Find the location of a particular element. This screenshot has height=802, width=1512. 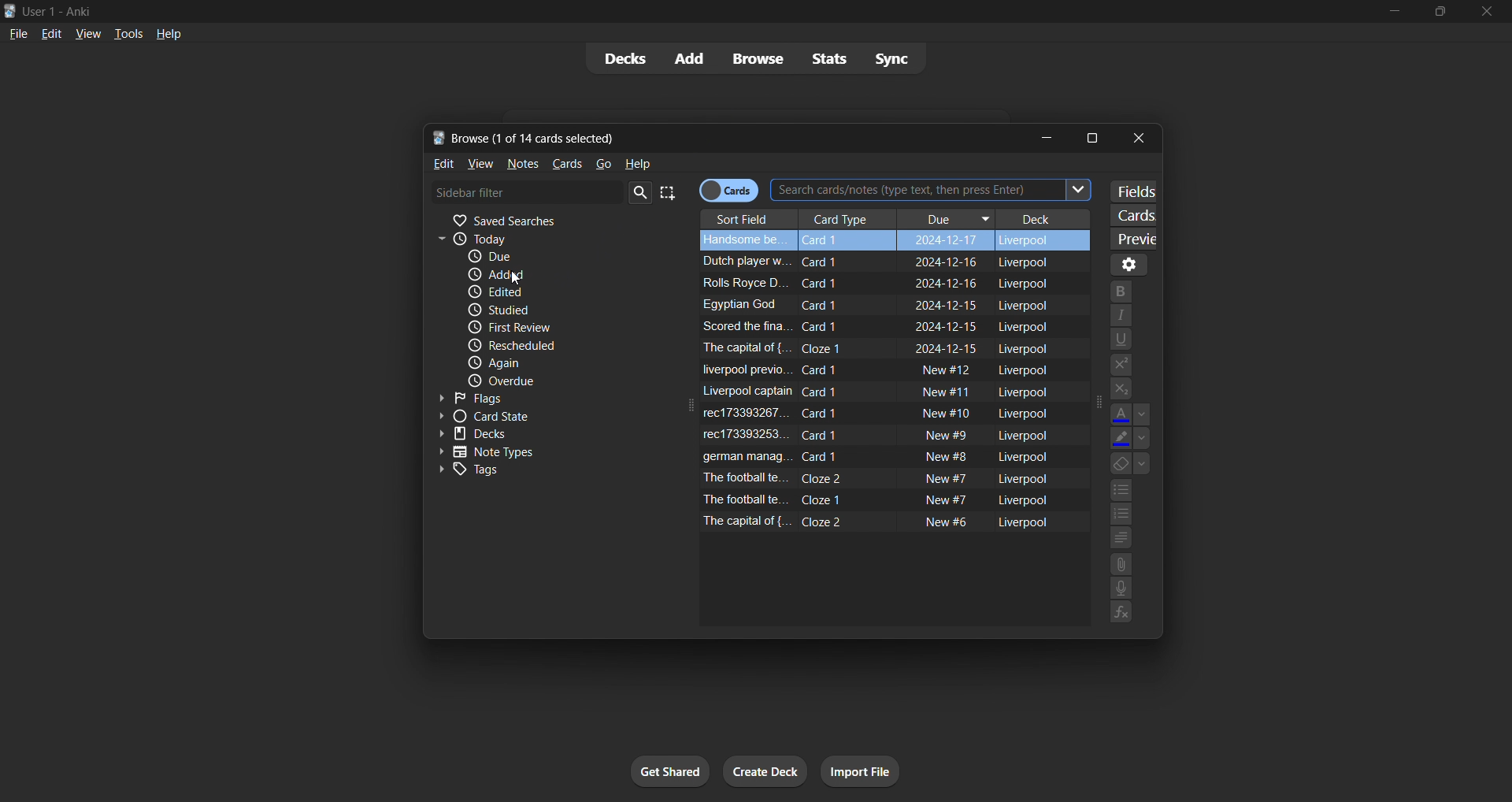

due is located at coordinates (551, 258).